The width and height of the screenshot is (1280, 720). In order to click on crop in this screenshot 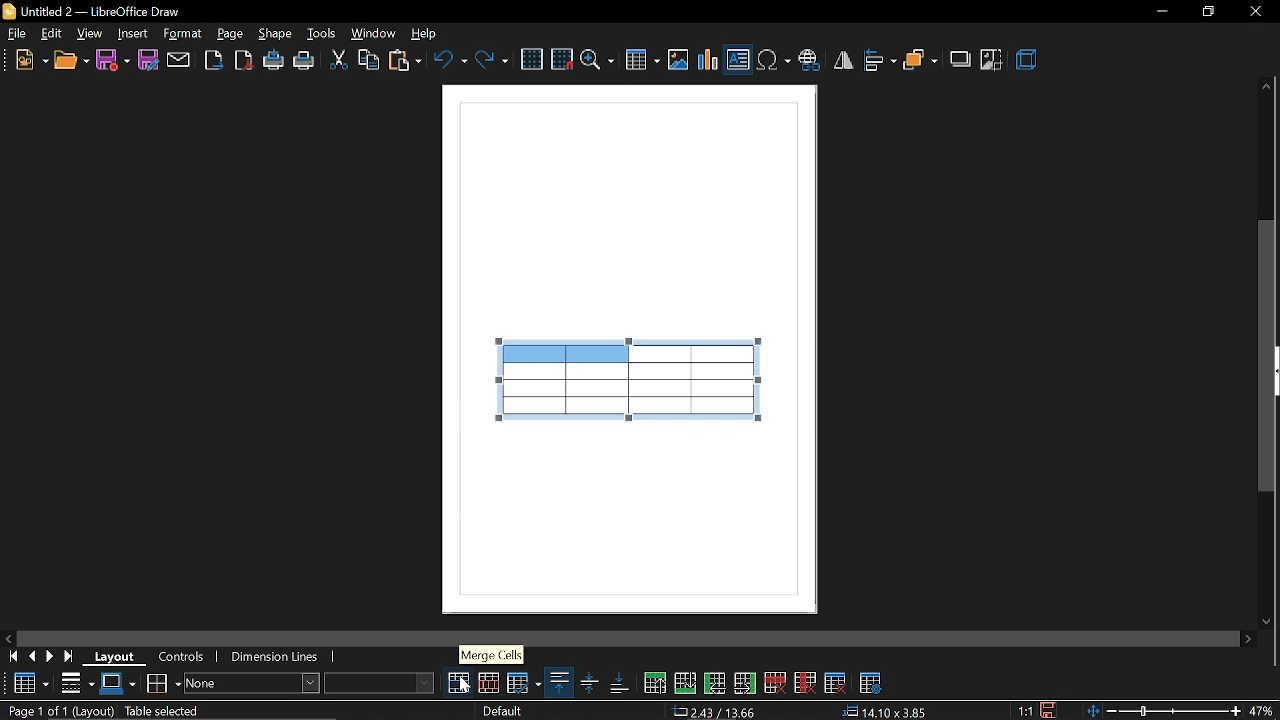, I will do `click(991, 61)`.